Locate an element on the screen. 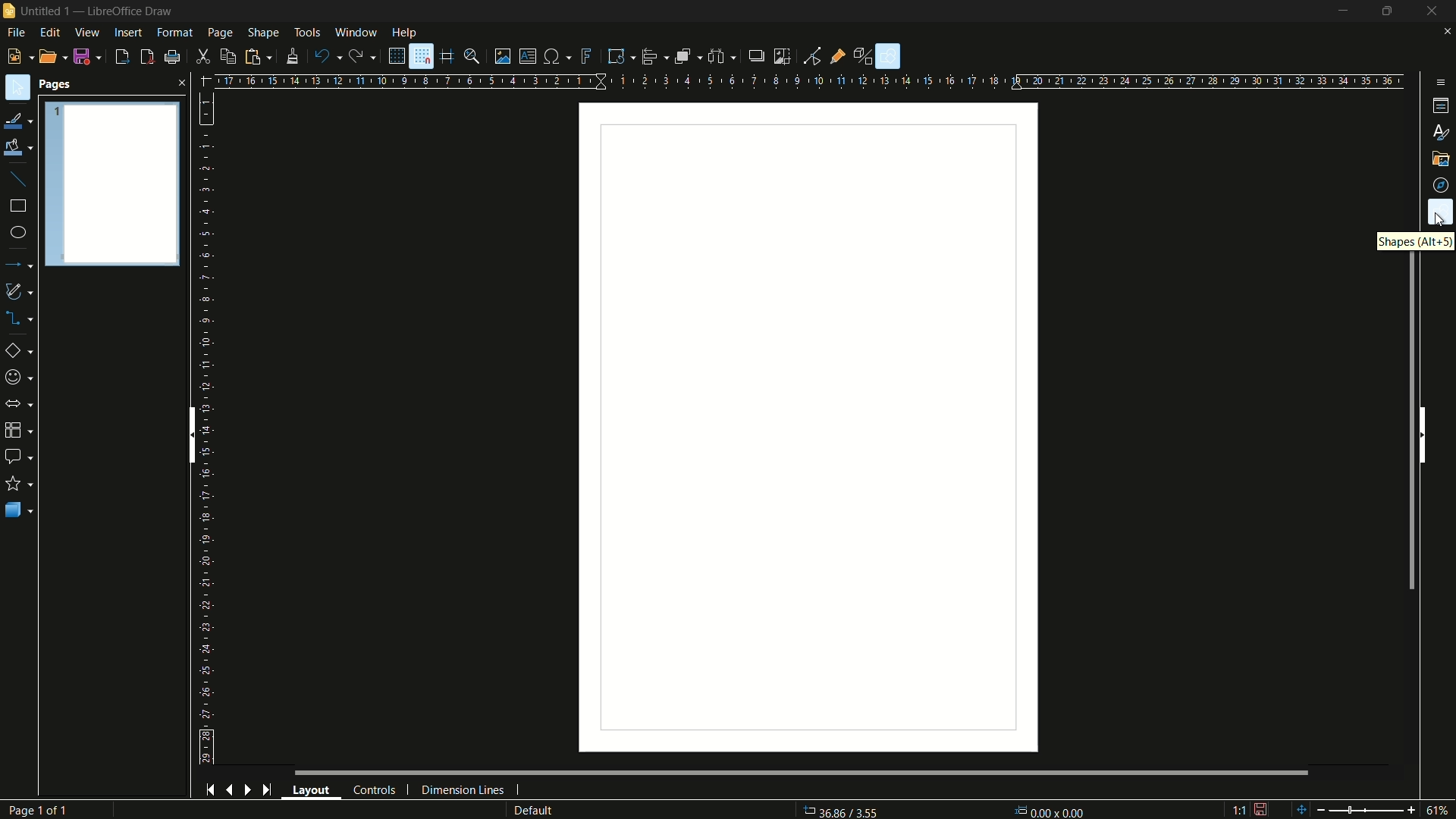 The width and height of the screenshot is (1456, 819). connectors is located at coordinates (22, 318).